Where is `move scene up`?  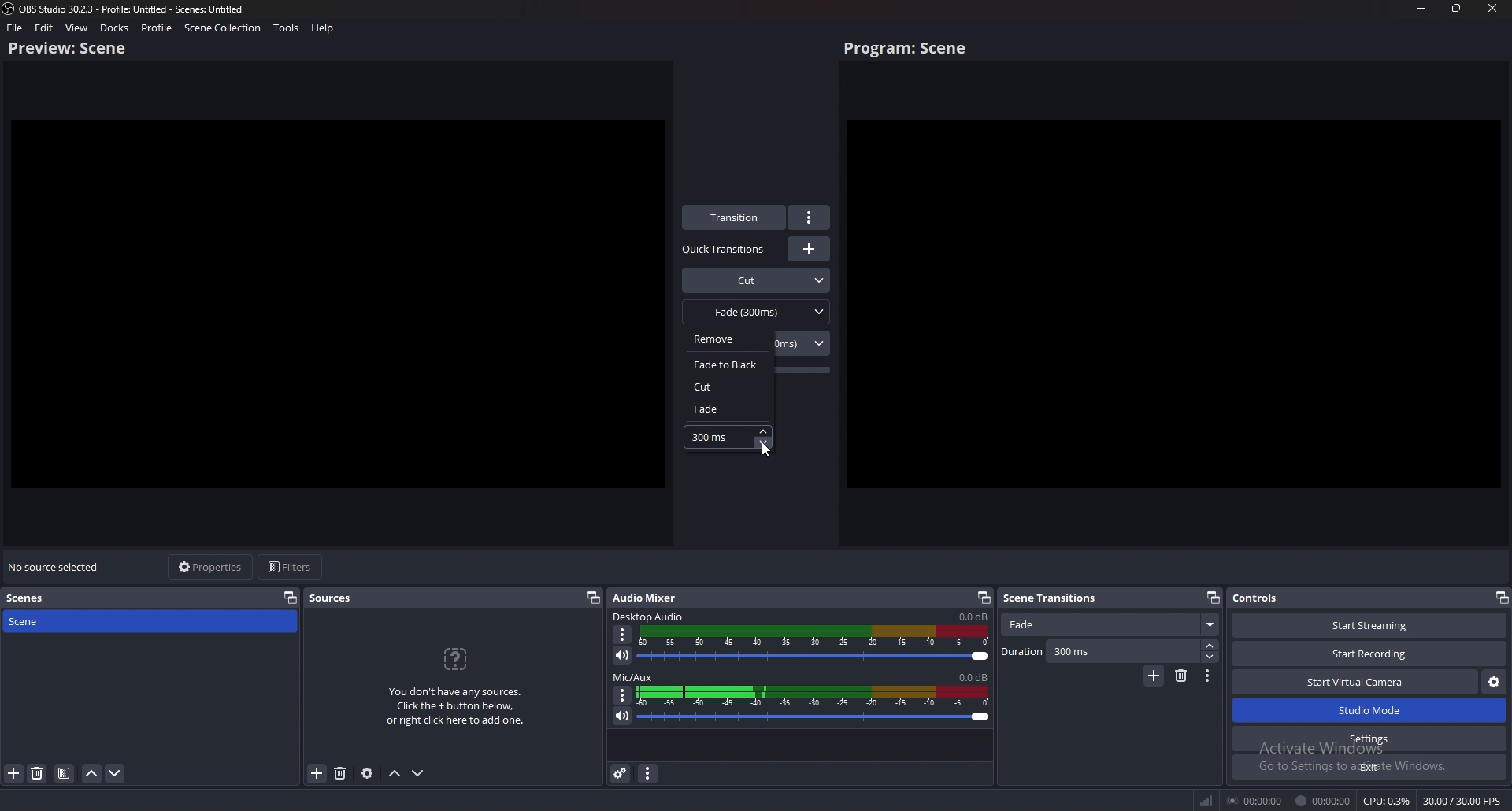
move scene up is located at coordinates (92, 773).